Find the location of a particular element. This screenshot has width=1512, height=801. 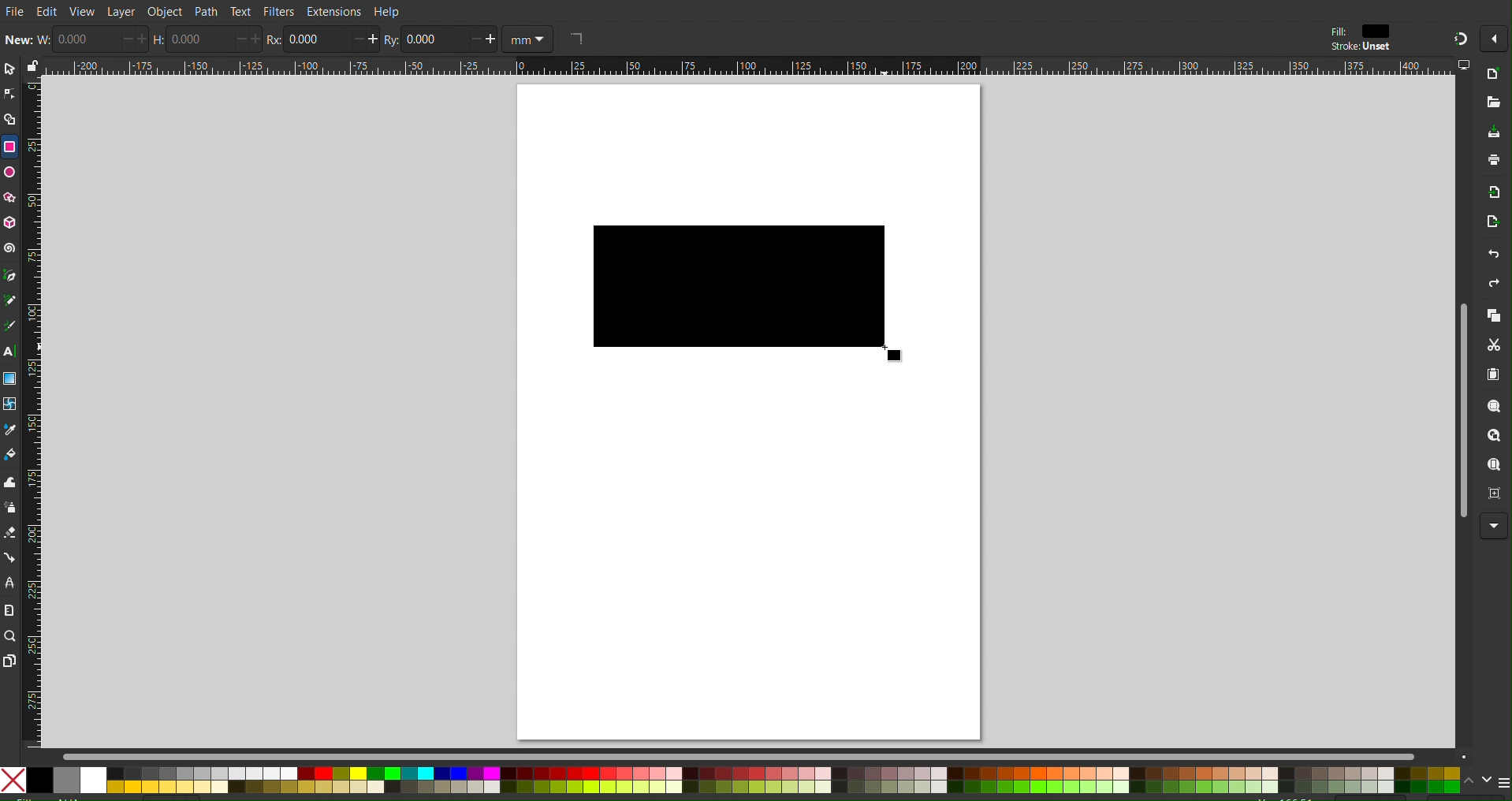

Path is located at coordinates (204, 12).